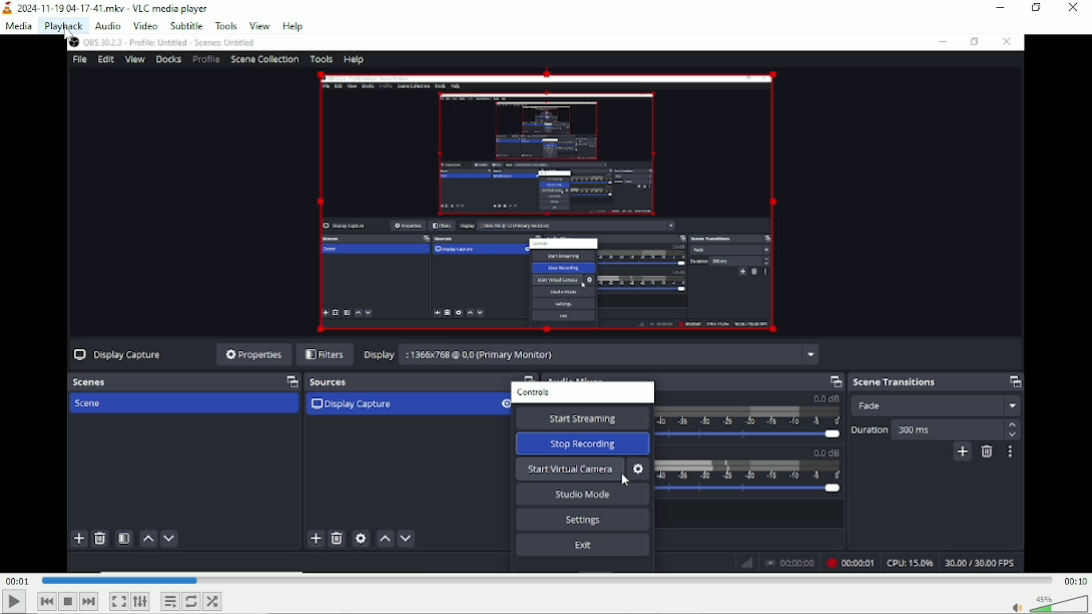 This screenshot has width=1092, height=614. Describe the element at coordinates (64, 26) in the screenshot. I see `Playback` at that location.